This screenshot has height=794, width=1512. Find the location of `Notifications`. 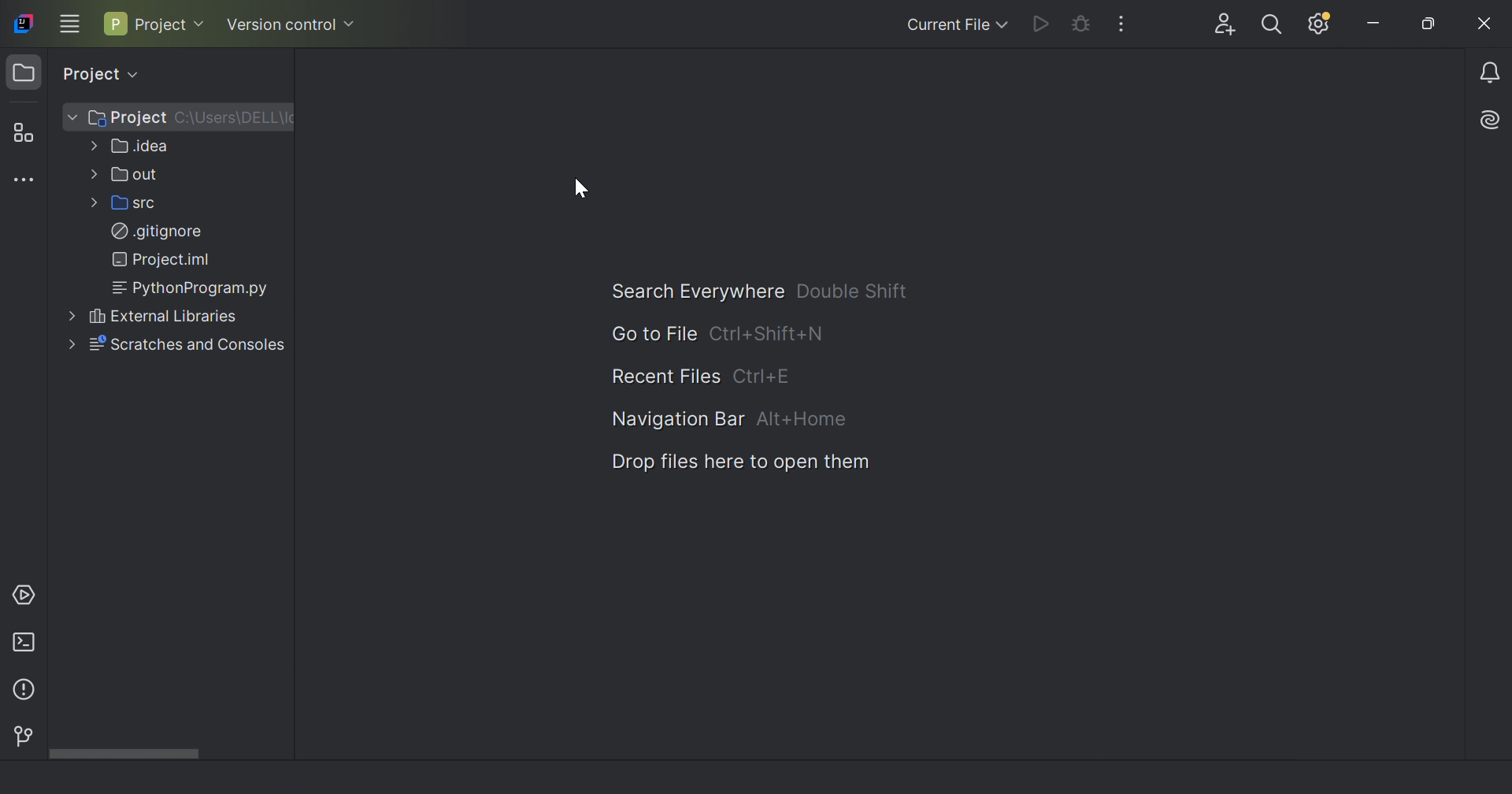

Notifications is located at coordinates (1492, 72).